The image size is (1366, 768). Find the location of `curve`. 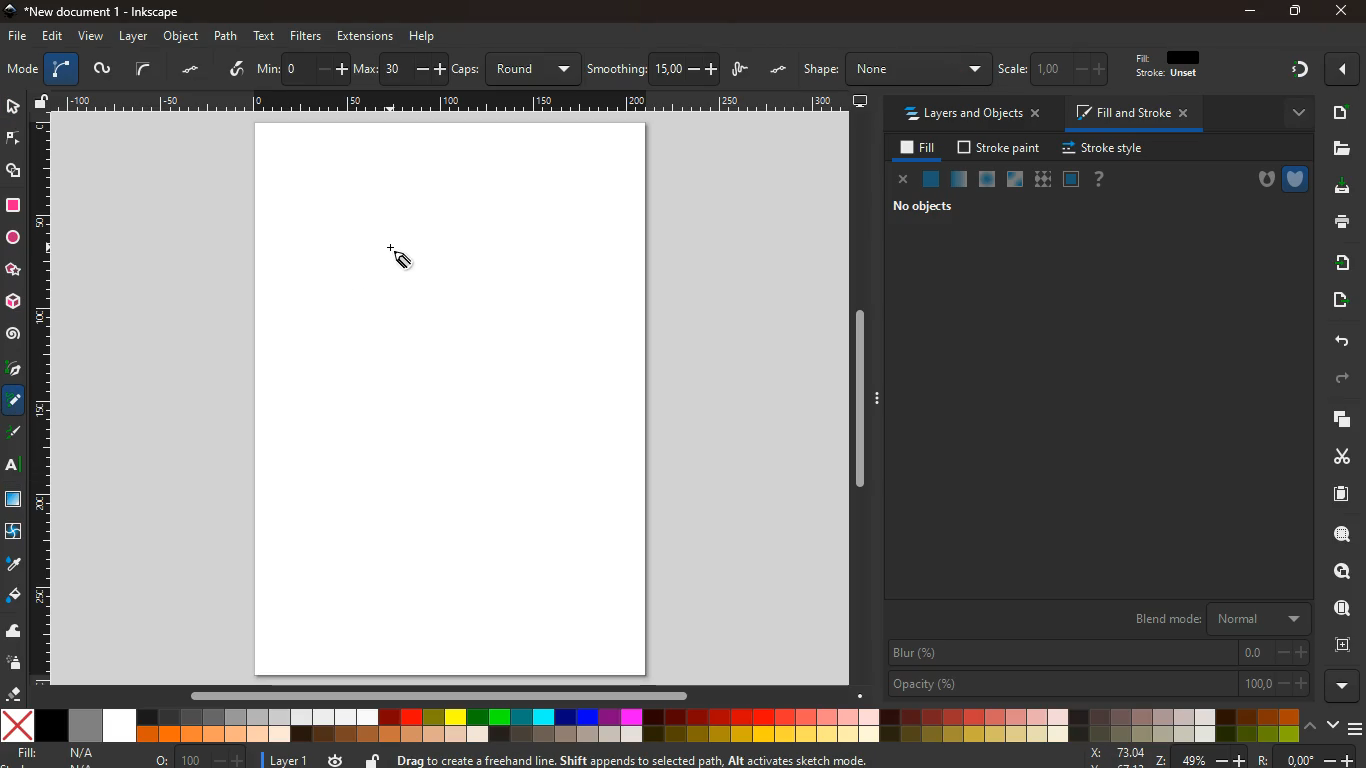

curve is located at coordinates (61, 70).